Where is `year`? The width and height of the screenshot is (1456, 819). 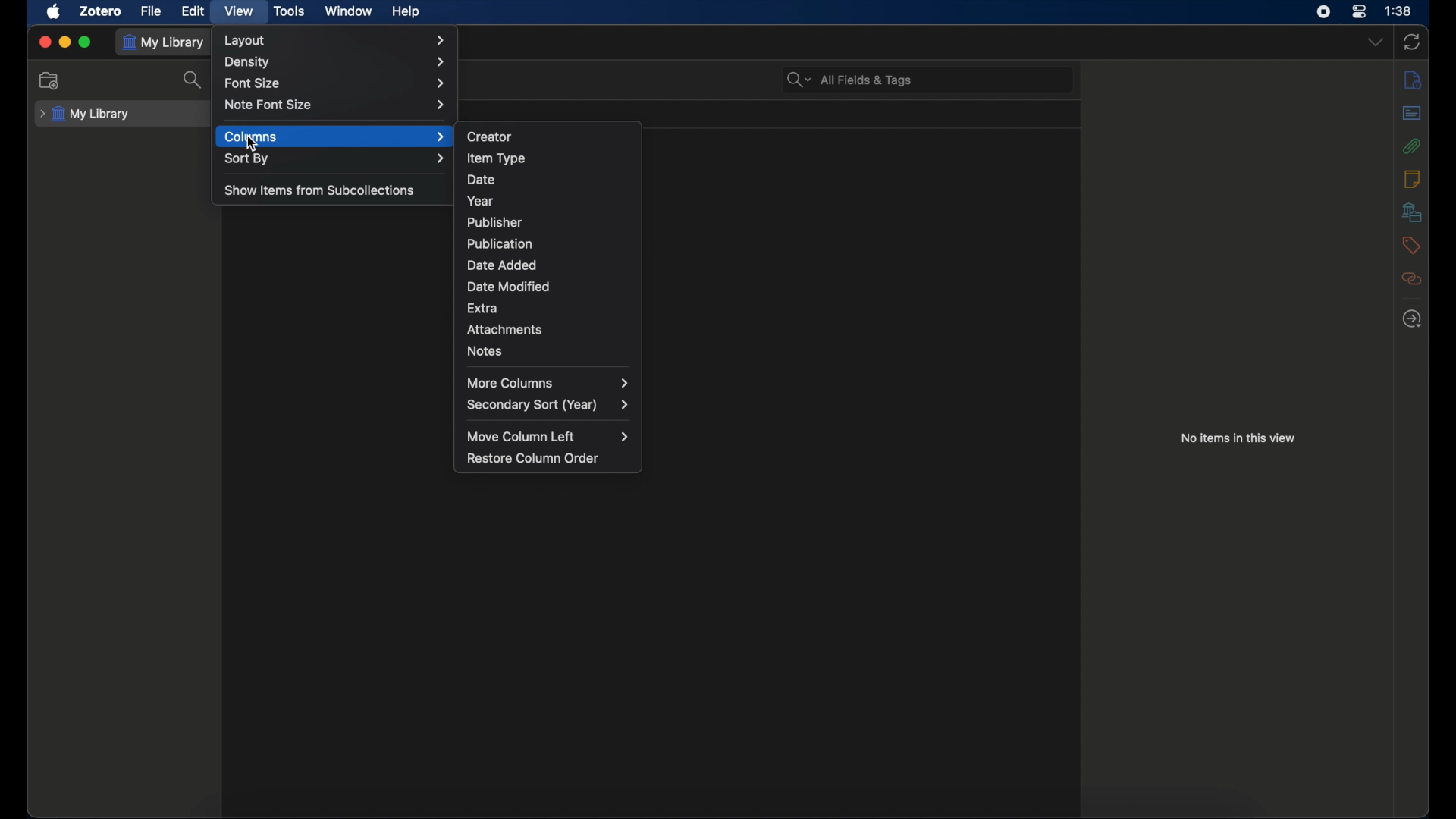
year is located at coordinates (483, 199).